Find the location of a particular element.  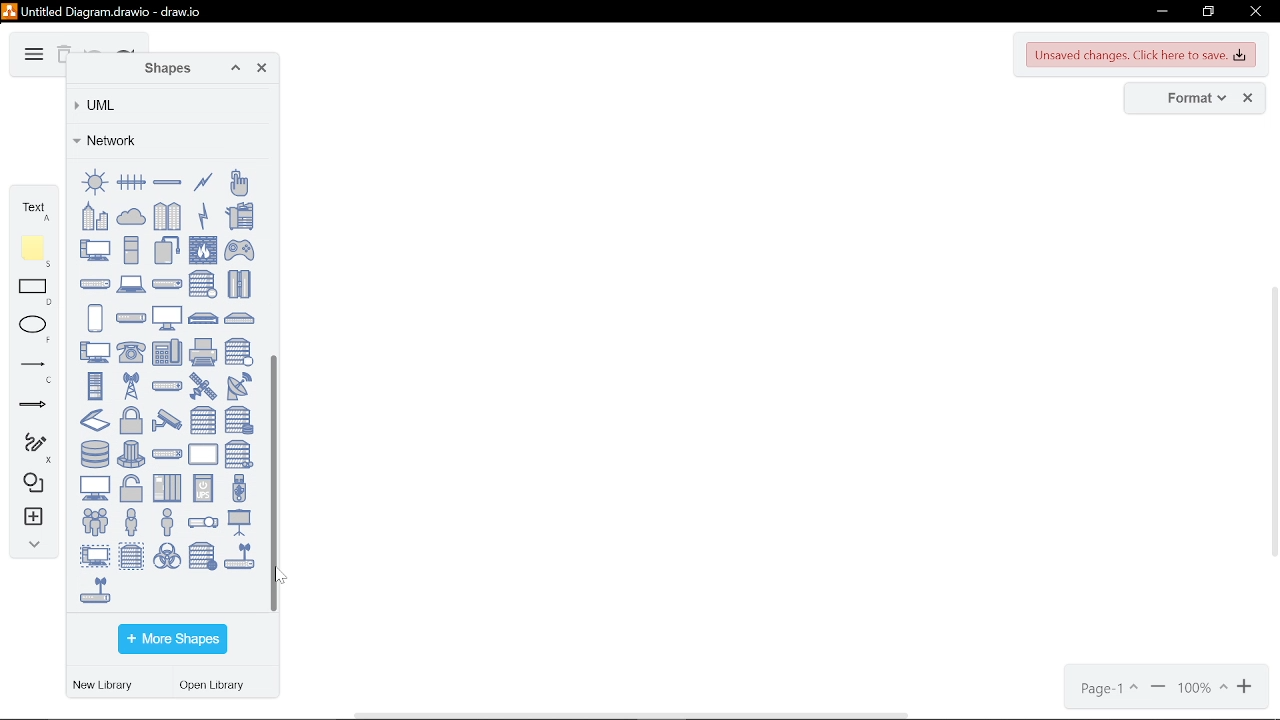

unsaved changes. Click here to save is located at coordinates (1142, 55).